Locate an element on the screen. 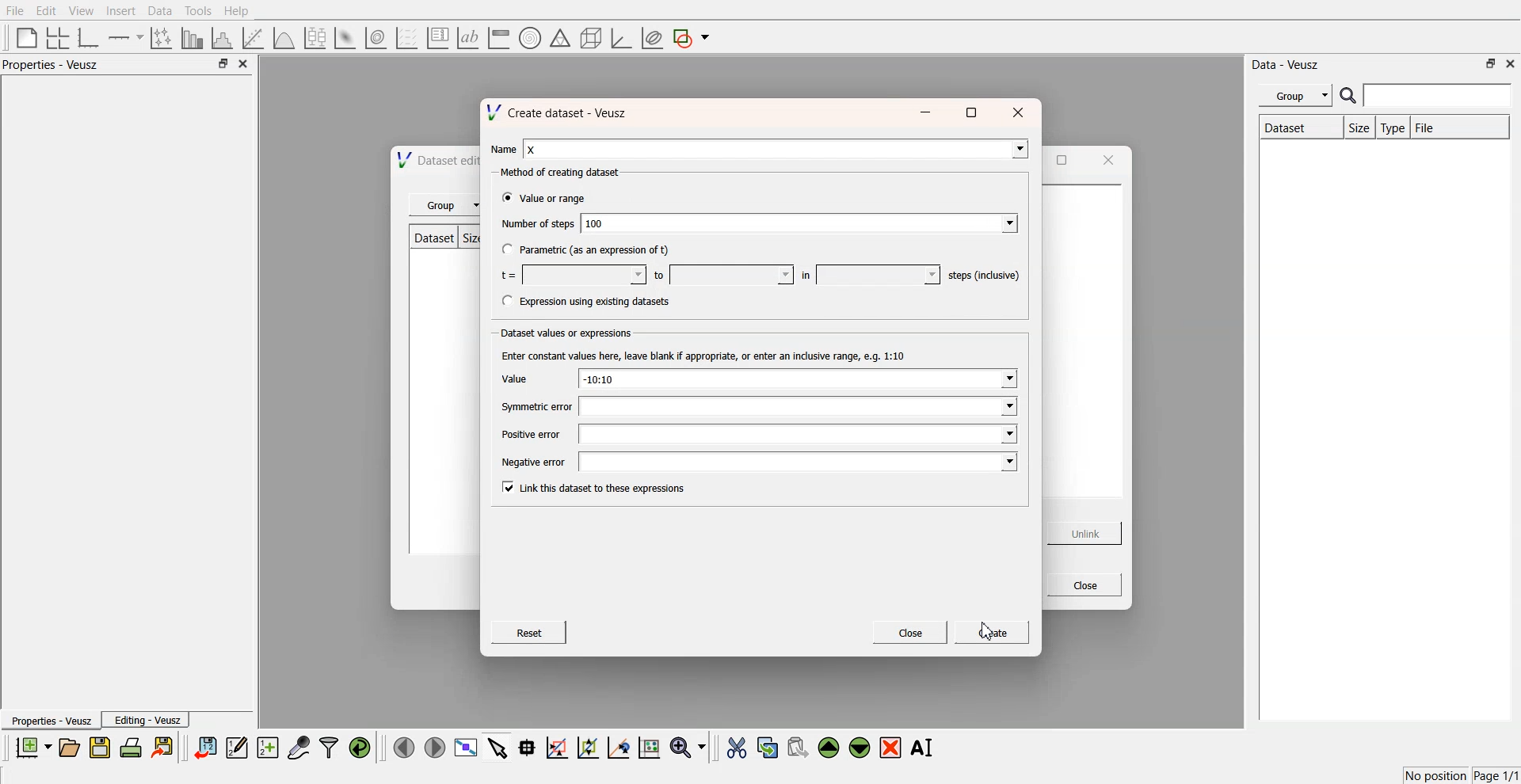 The image size is (1521, 784). 100 is located at coordinates (800, 223).